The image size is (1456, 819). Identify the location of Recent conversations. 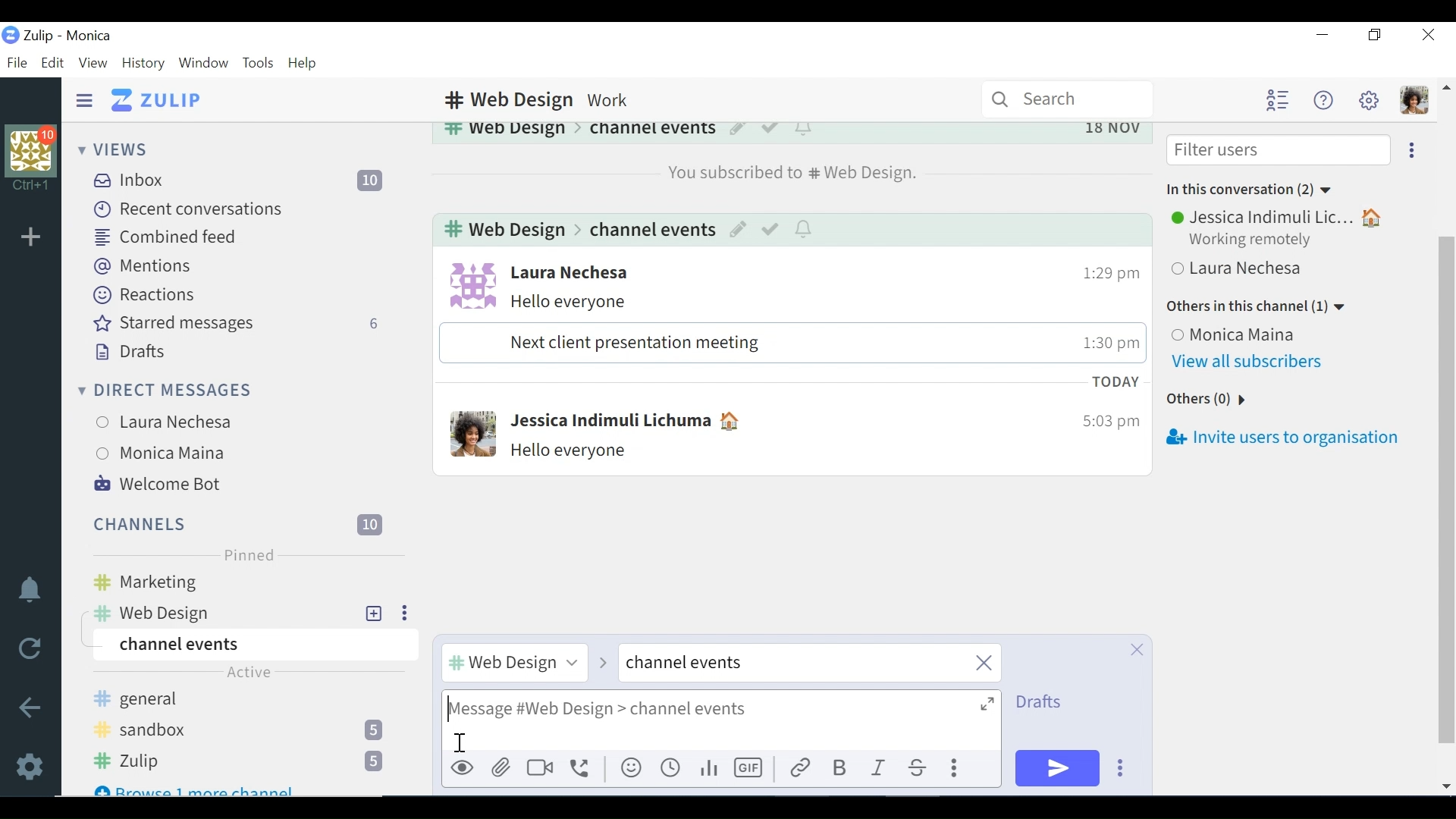
(189, 209).